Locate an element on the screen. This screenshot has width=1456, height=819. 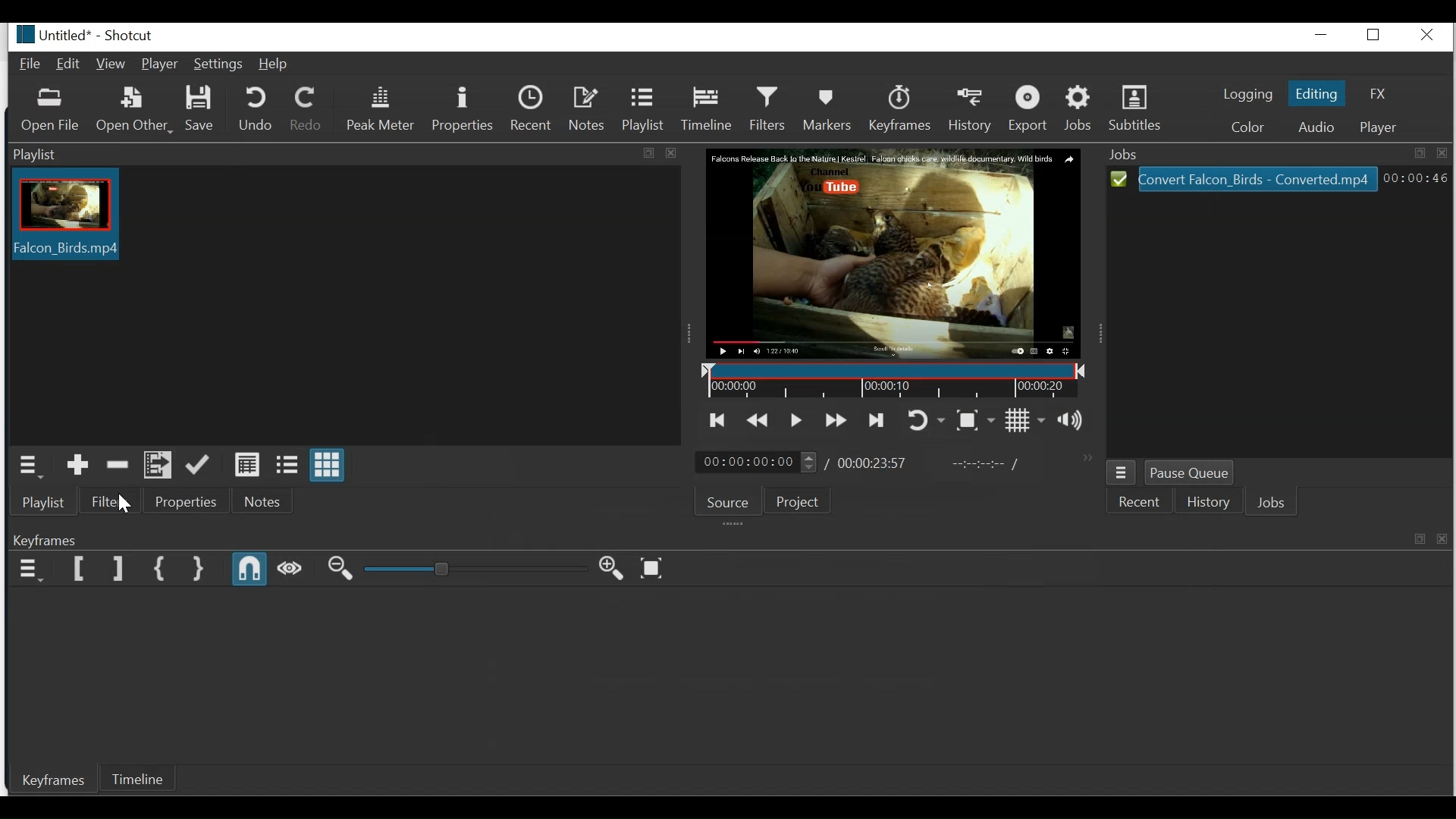
00:00:46(Elapsed Hours: Minutes: Seconds) is located at coordinates (1413, 178).